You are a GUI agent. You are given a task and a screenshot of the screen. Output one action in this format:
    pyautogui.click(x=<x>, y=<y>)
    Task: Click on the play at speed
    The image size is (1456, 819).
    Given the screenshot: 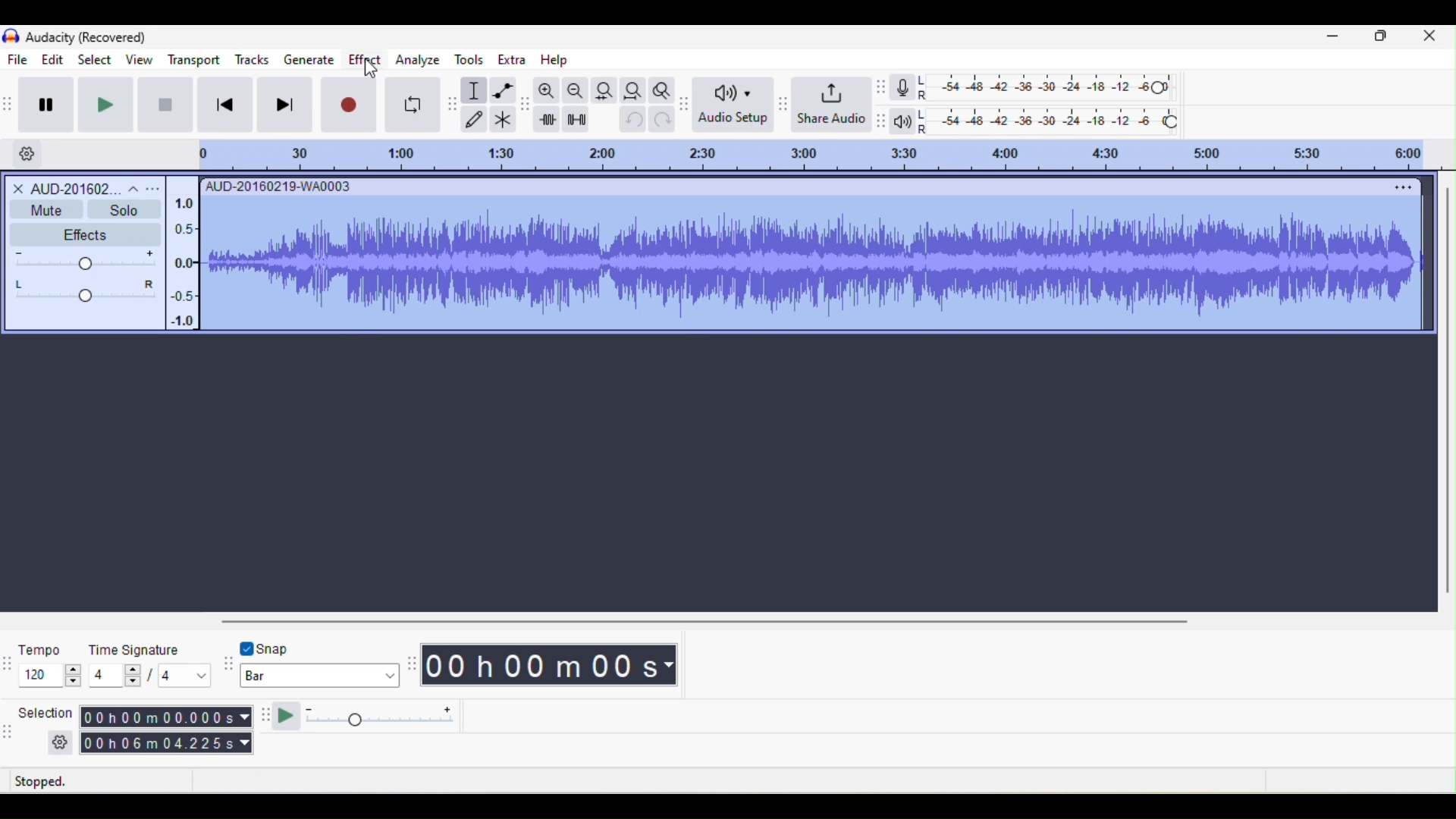 What is the action you would take?
    pyautogui.click(x=375, y=718)
    